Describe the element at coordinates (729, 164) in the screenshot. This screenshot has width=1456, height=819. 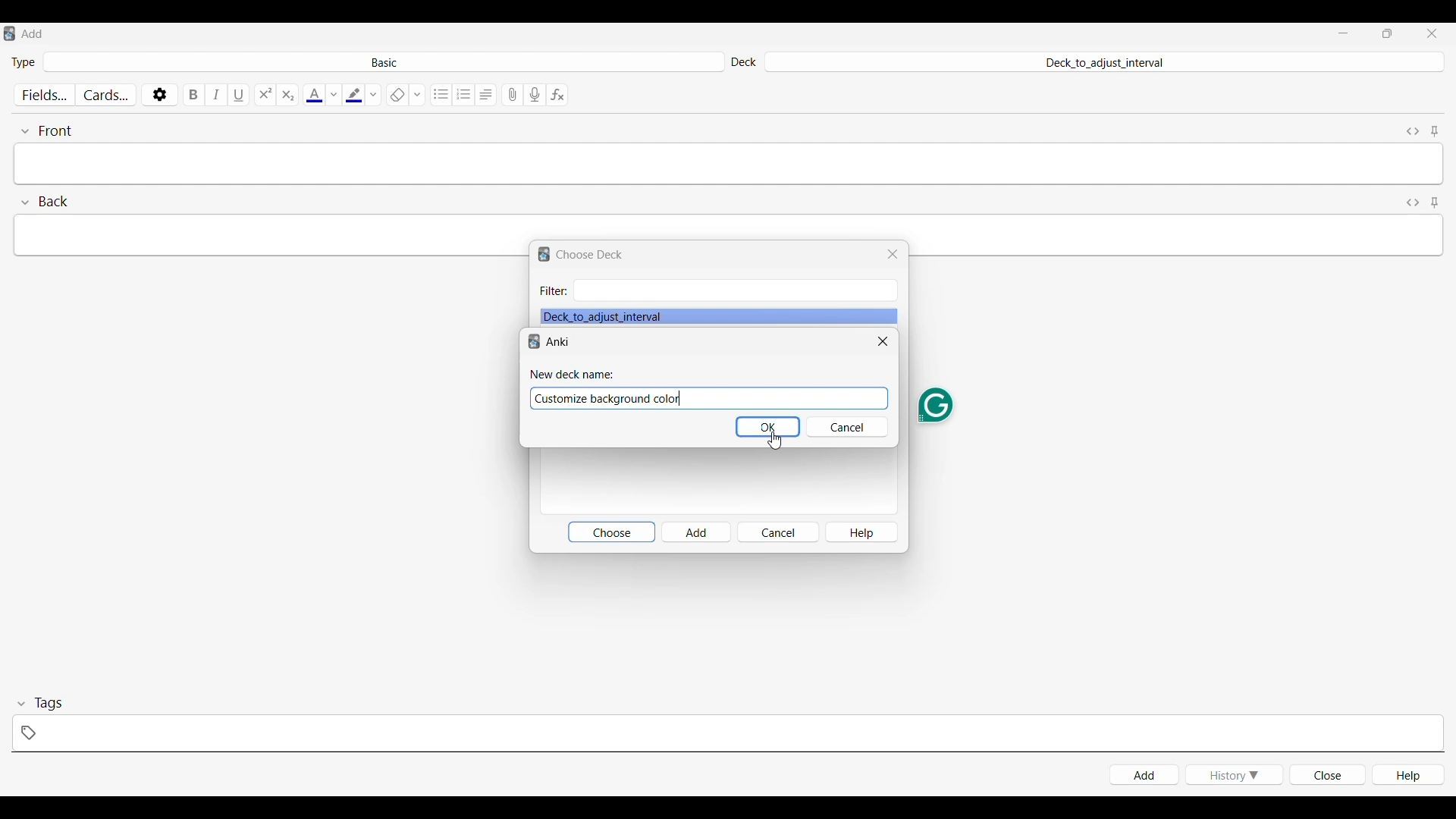
I see `Type in text` at that location.